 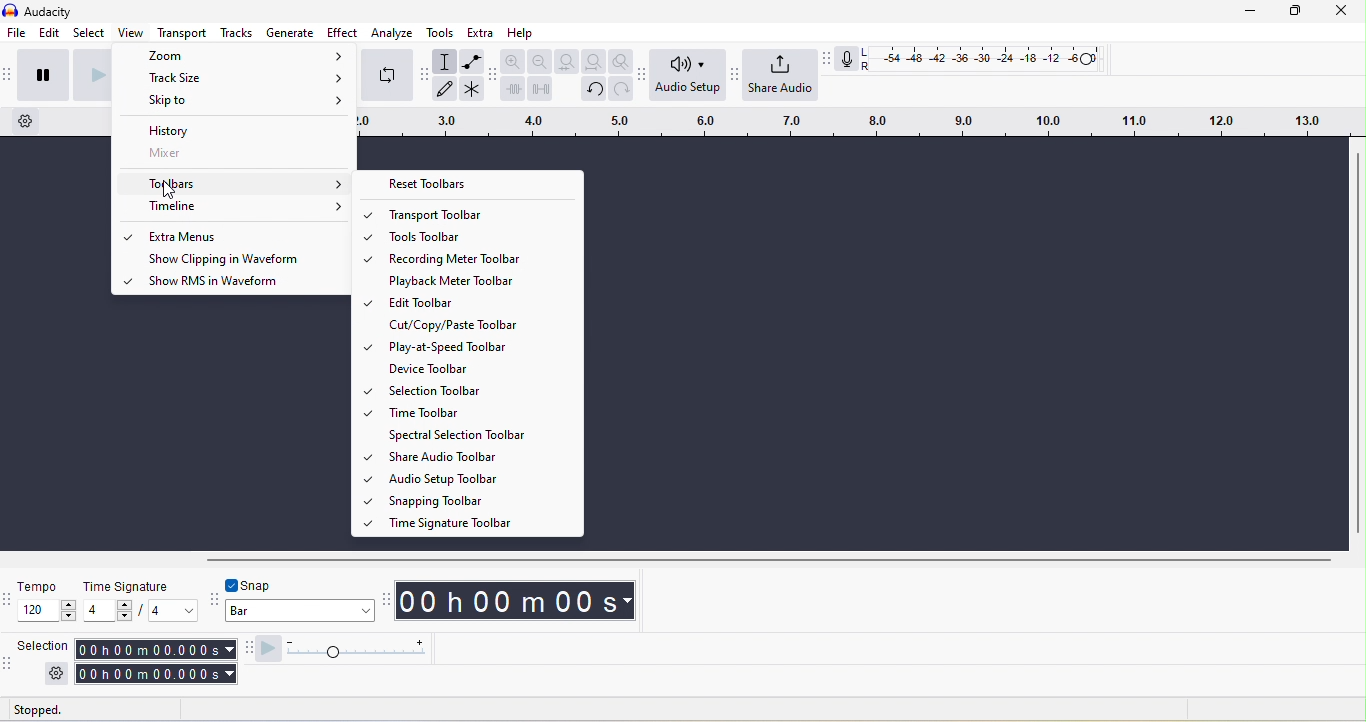 What do you see at coordinates (155, 650) in the screenshot?
I see `selection start time` at bounding box center [155, 650].